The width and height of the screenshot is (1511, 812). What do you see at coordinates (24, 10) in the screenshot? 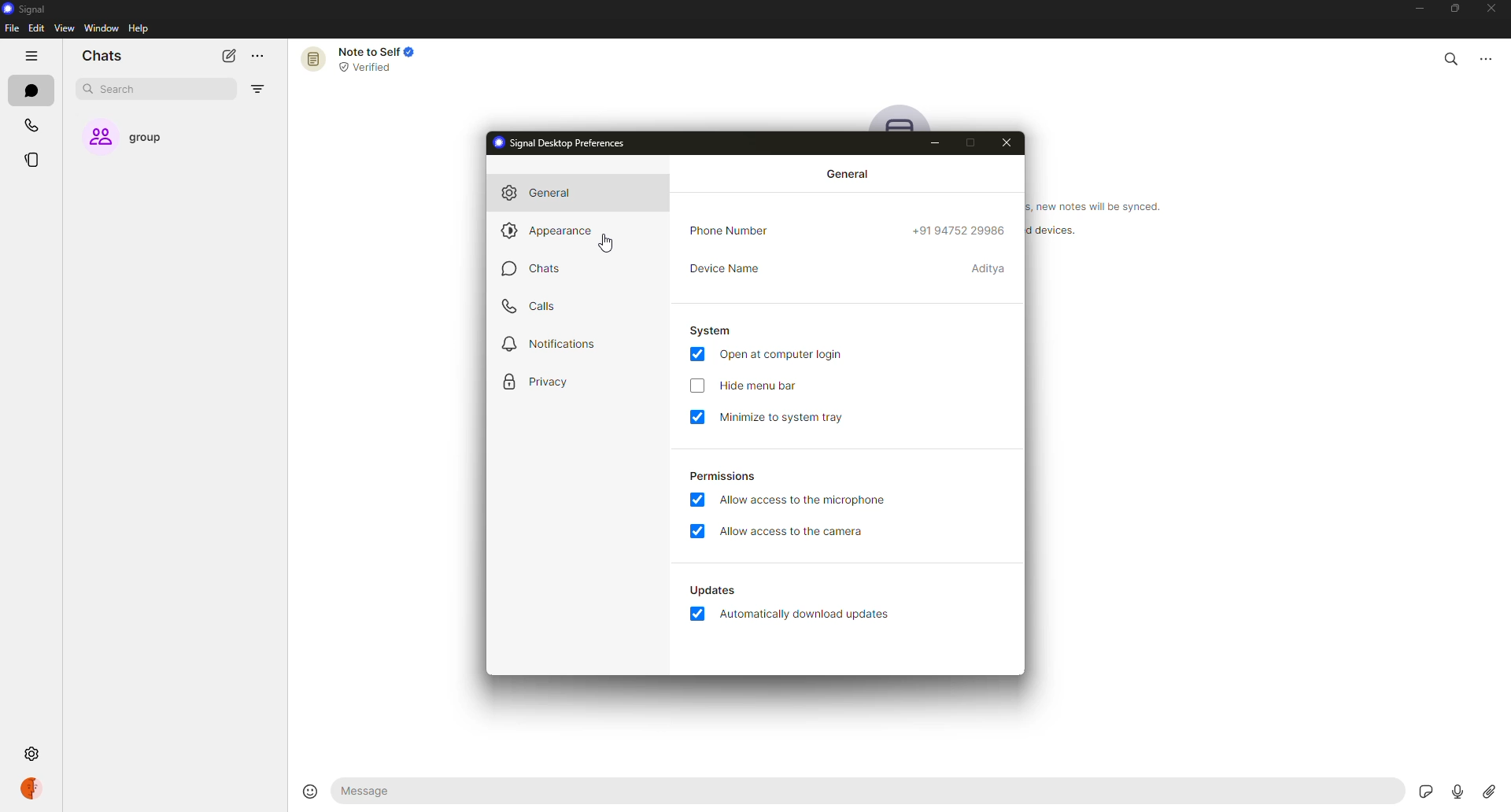
I see `signal` at bounding box center [24, 10].